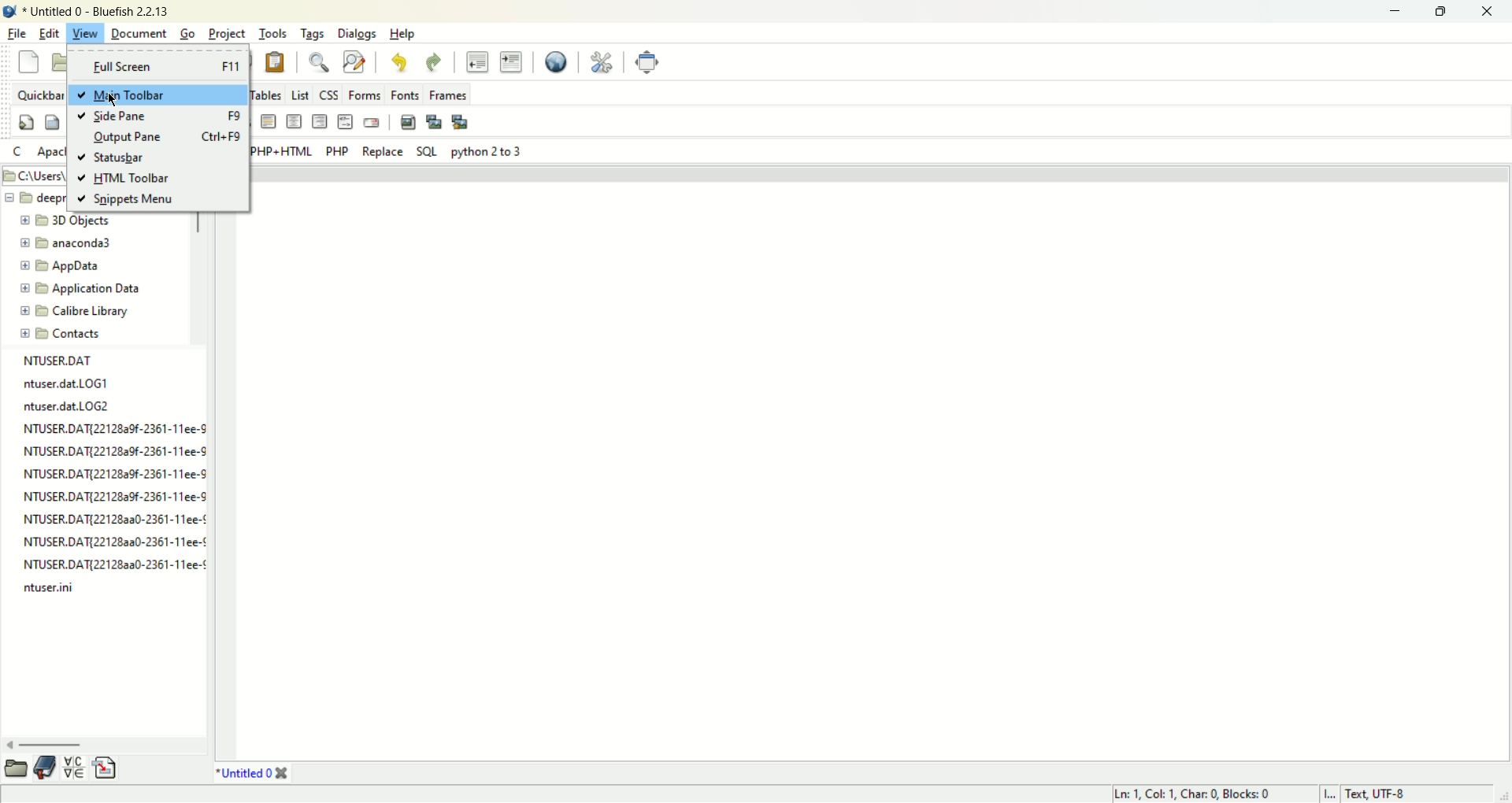 The height and width of the screenshot is (803, 1512). Describe the element at coordinates (361, 34) in the screenshot. I see `dialogs` at that location.